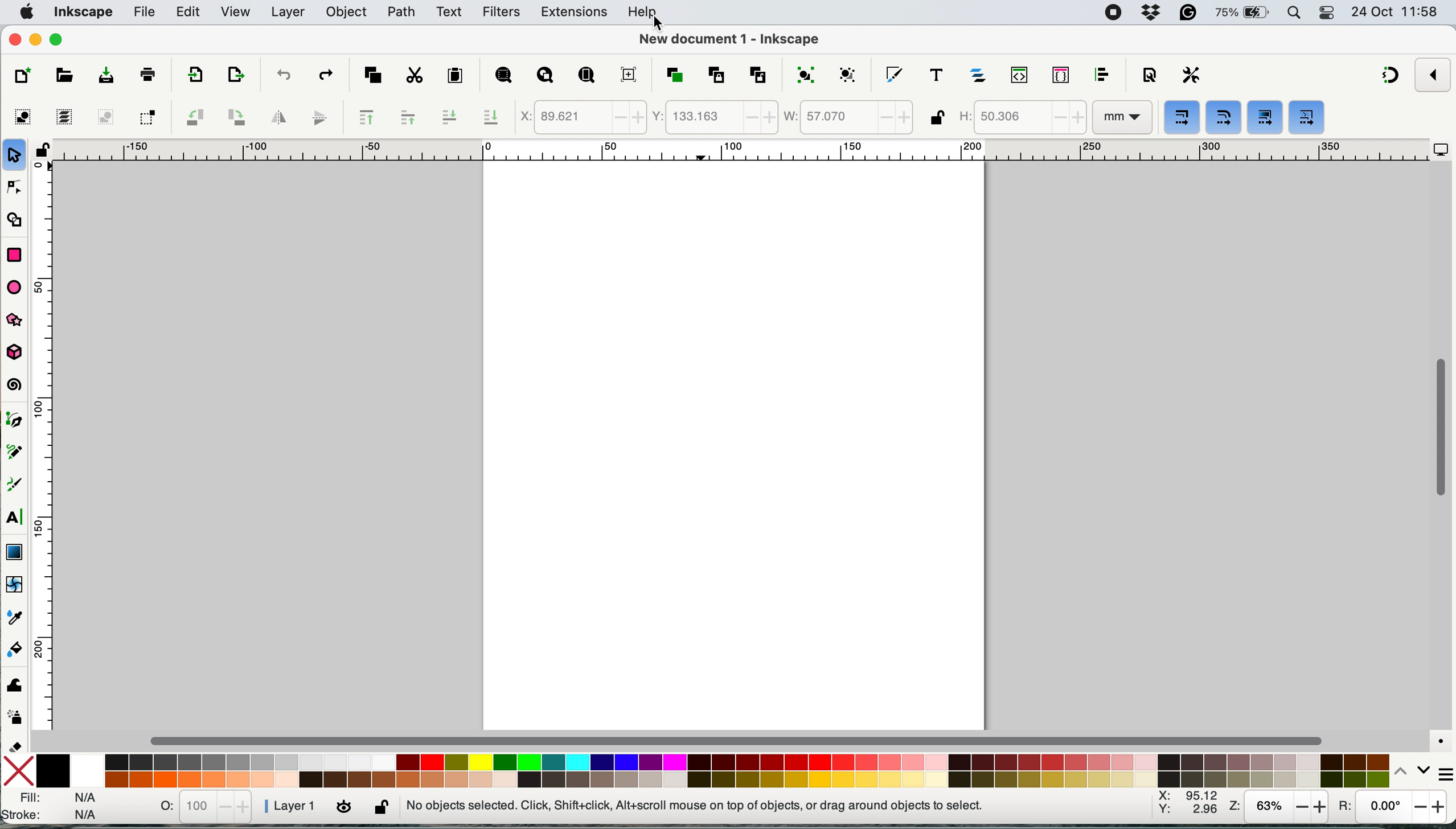  I want to click on select all in all layers, so click(68, 118).